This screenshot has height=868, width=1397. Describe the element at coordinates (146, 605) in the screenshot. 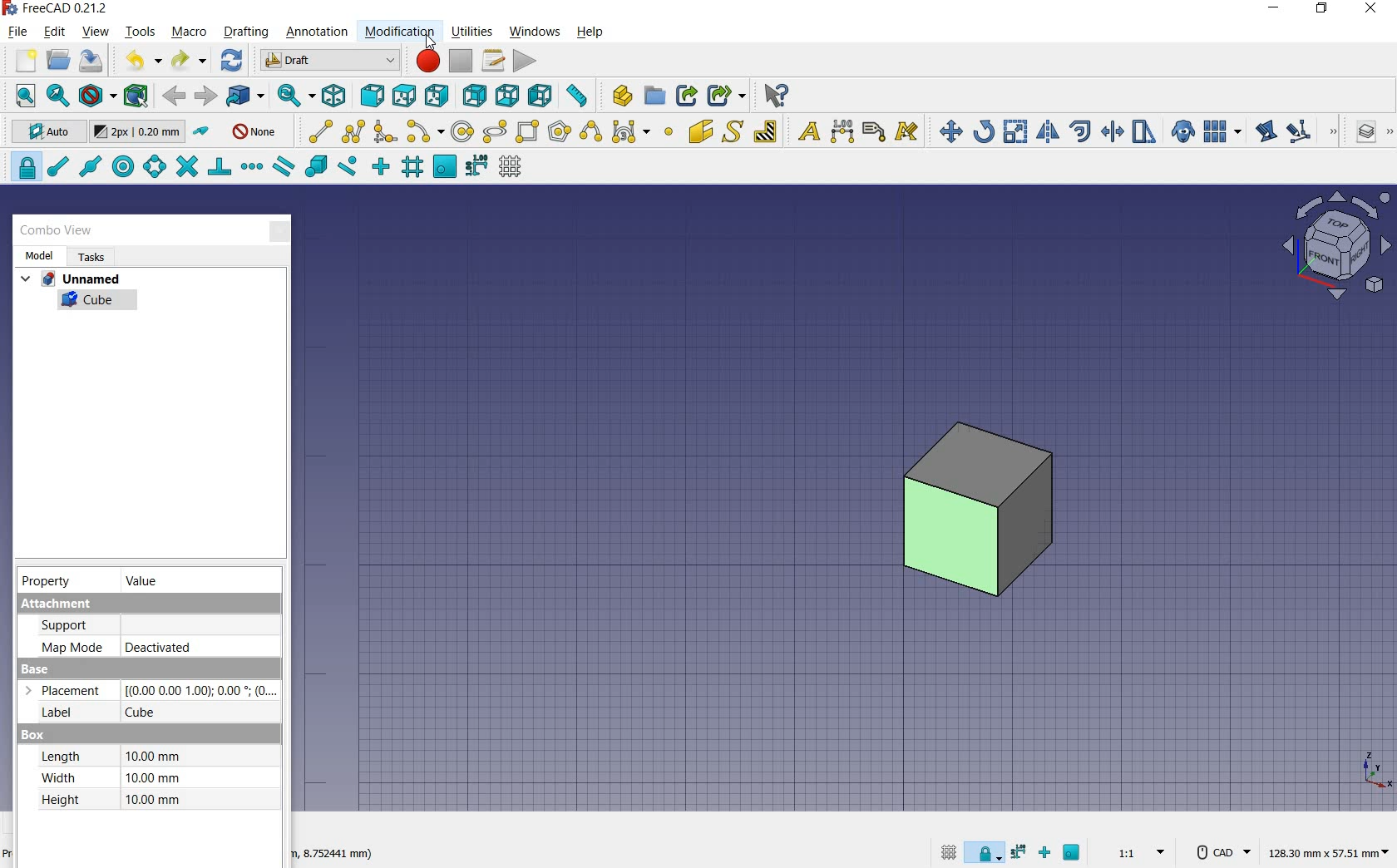

I see `attachment` at that location.